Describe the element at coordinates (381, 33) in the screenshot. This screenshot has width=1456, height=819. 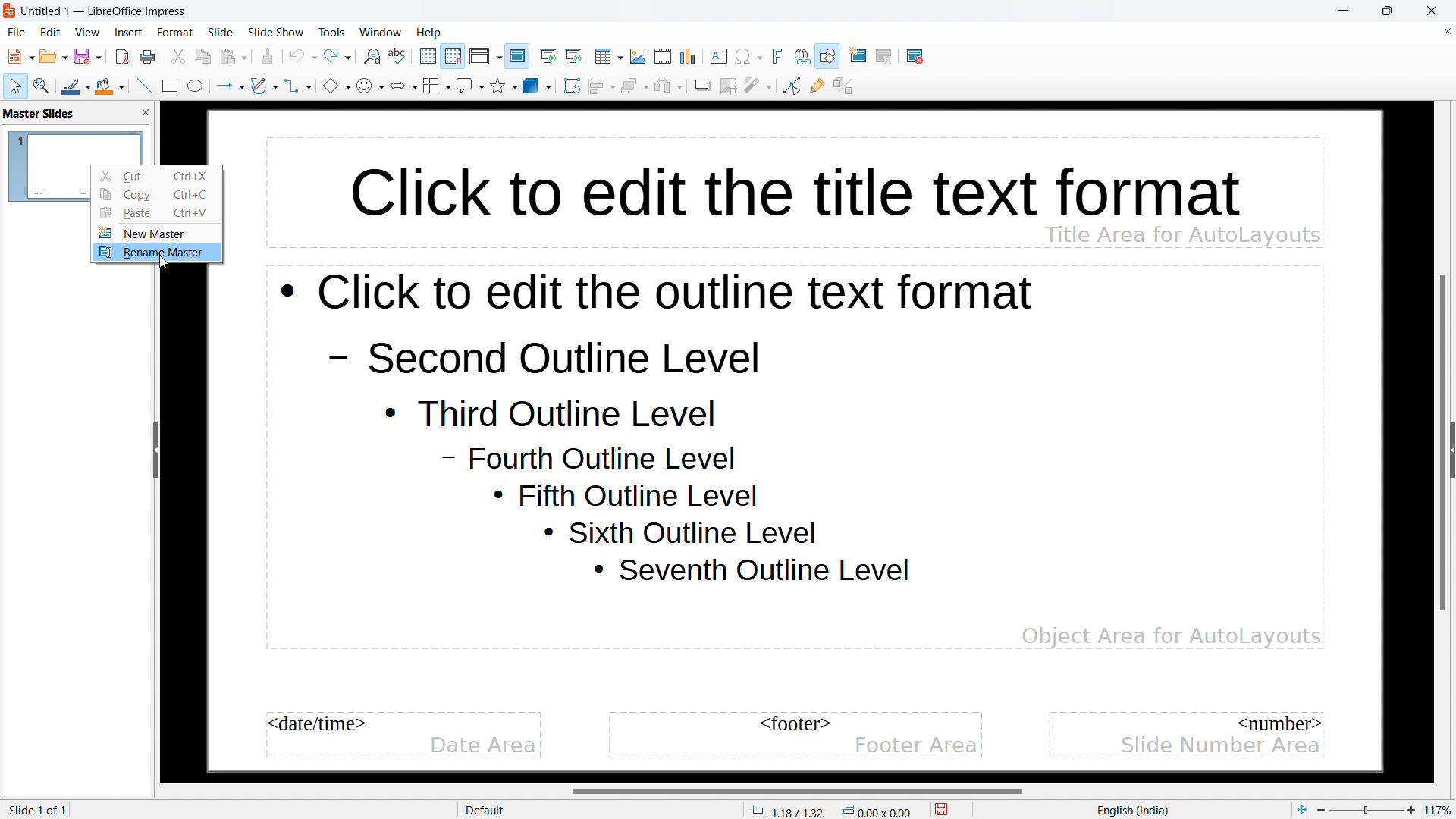
I see `window` at that location.